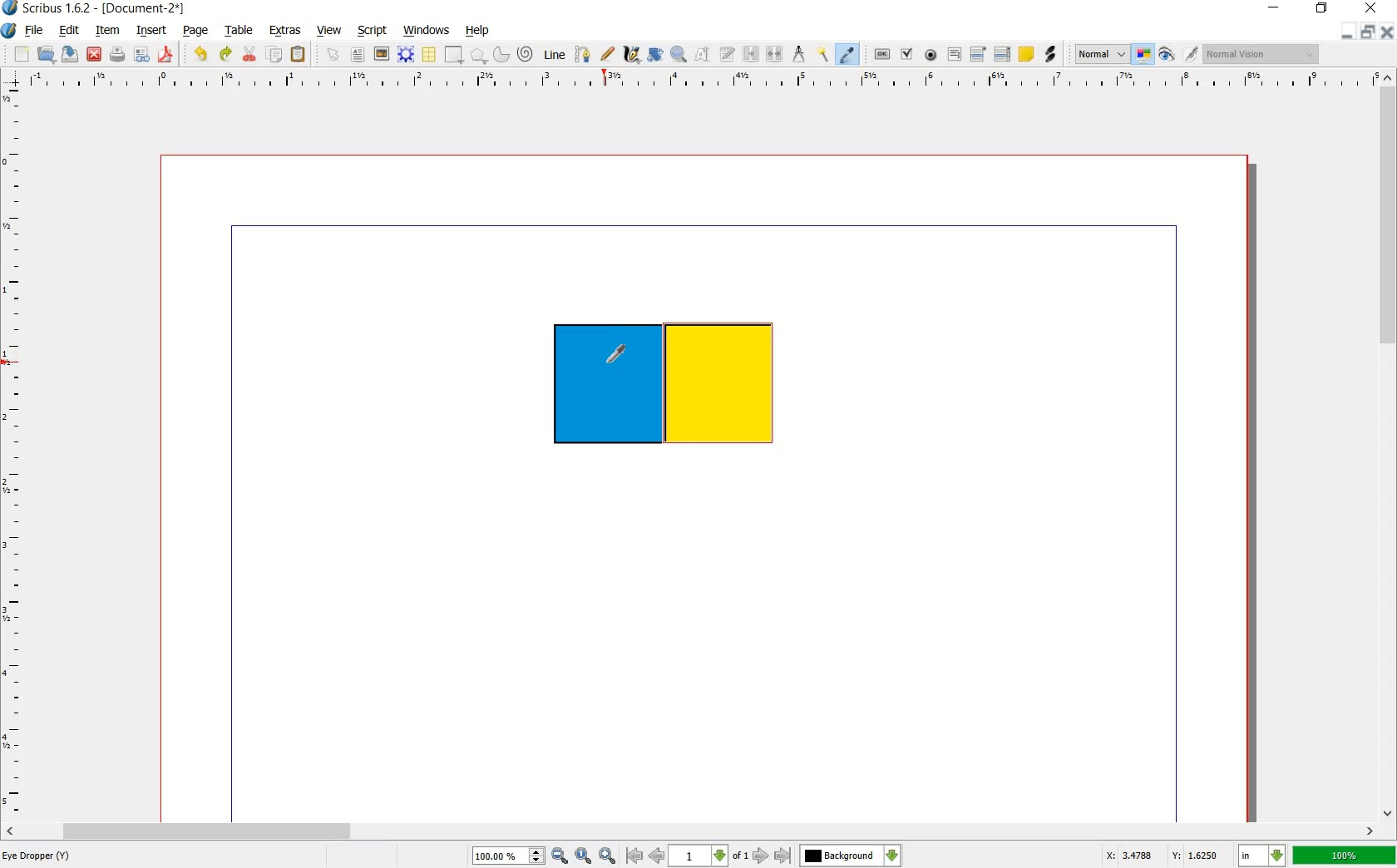 The height and width of the screenshot is (868, 1397). Describe the element at coordinates (1345, 856) in the screenshot. I see `100%` at that location.